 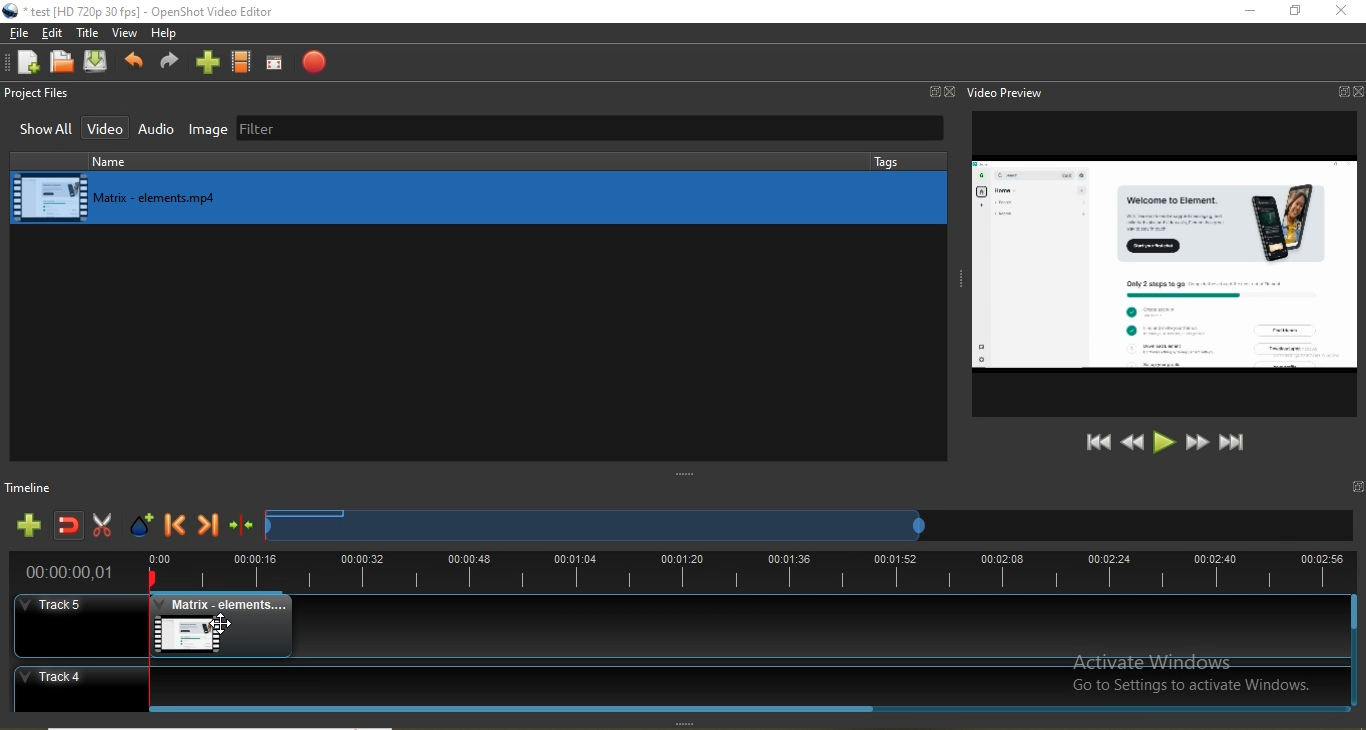 What do you see at coordinates (70, 528) in the screenshot?
I see `Disable snapping` at bounding box center [70, 528].